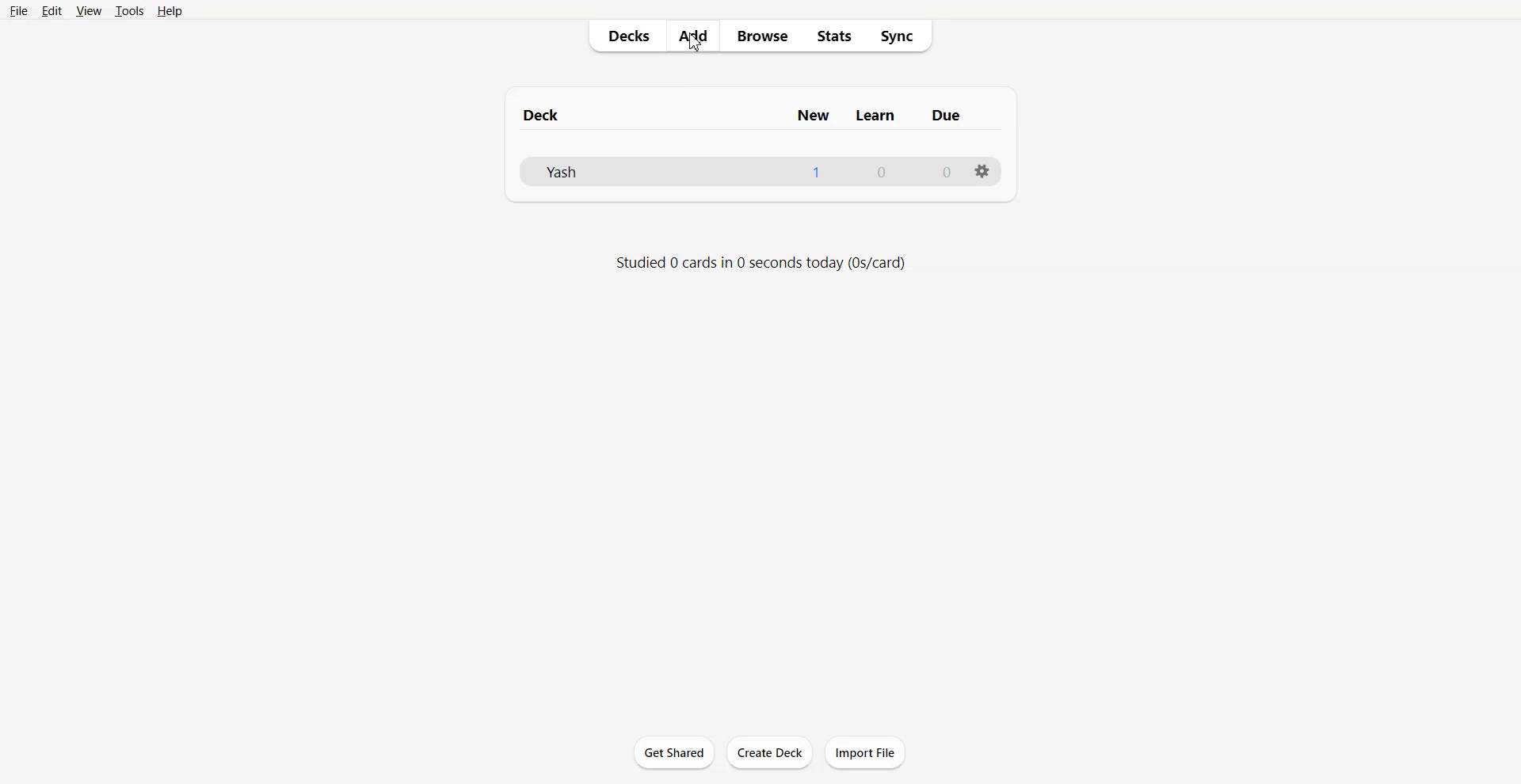 The width and height of the screenshot is (1521, 784). I want to click on 1, so click(814, 171).